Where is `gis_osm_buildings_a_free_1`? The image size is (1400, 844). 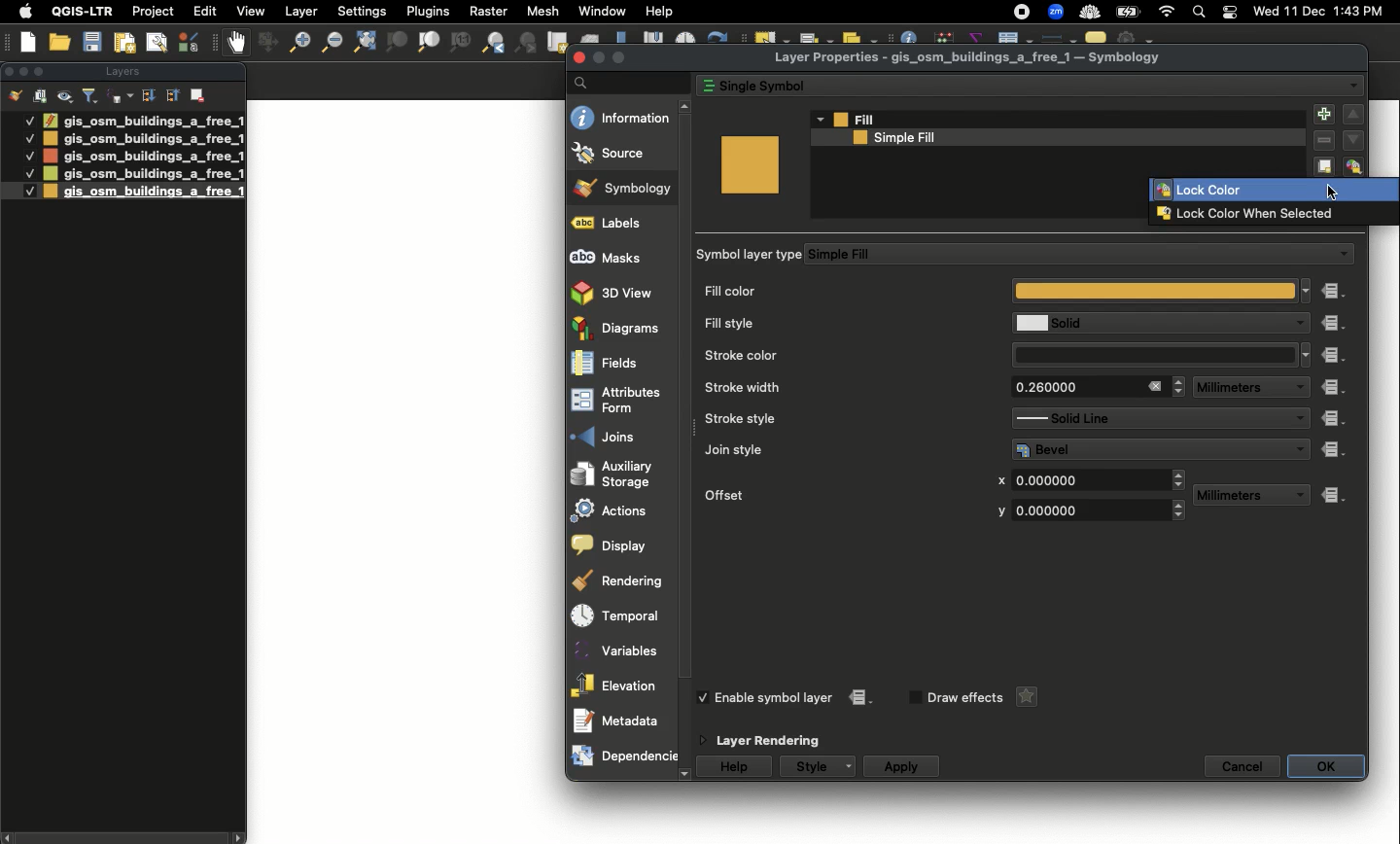 gis_osm_buildings_a_free_1 is located at coordinates (144, 139).